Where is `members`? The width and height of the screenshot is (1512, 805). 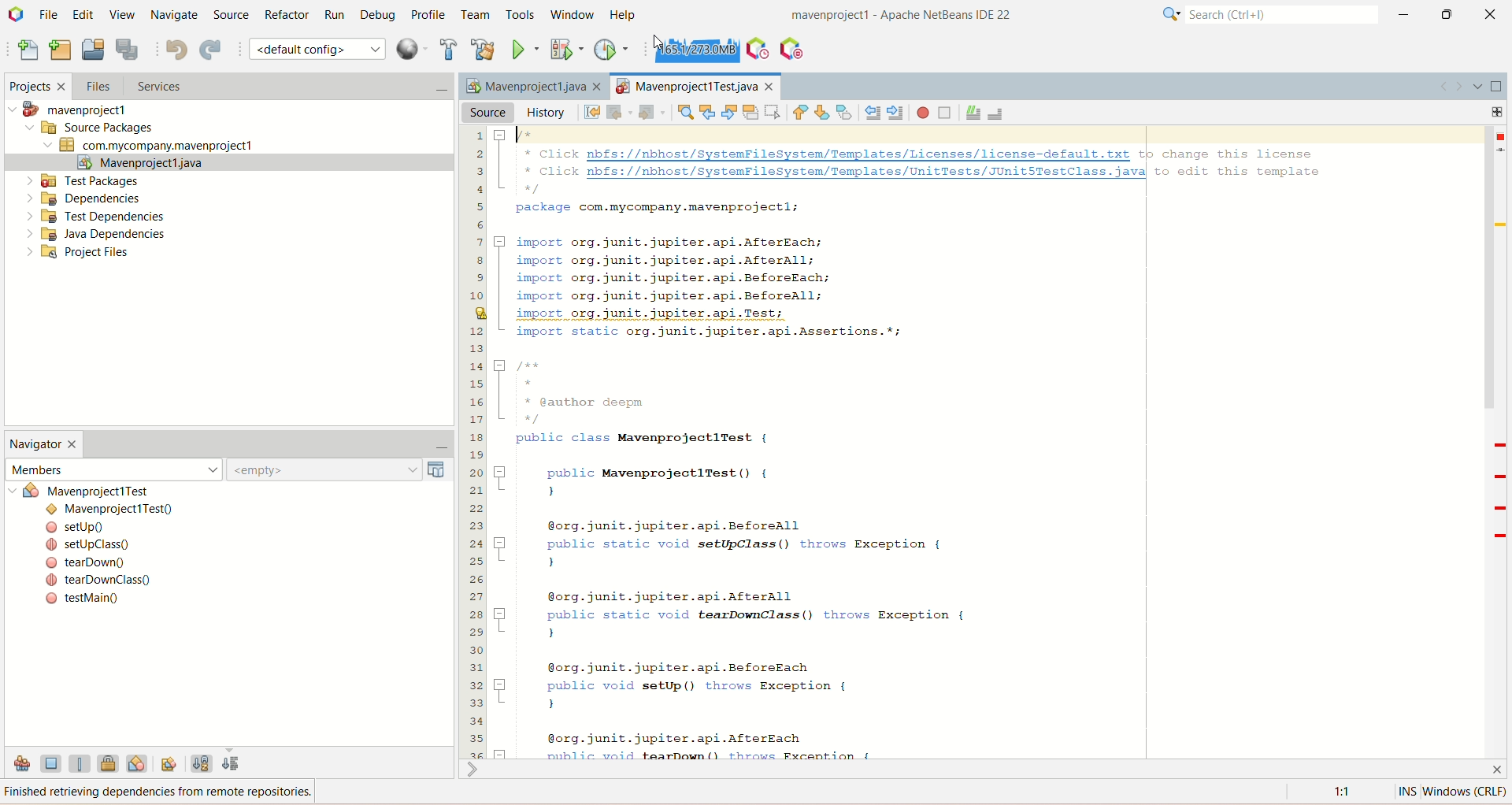 members is located at coordinates (110, 468).